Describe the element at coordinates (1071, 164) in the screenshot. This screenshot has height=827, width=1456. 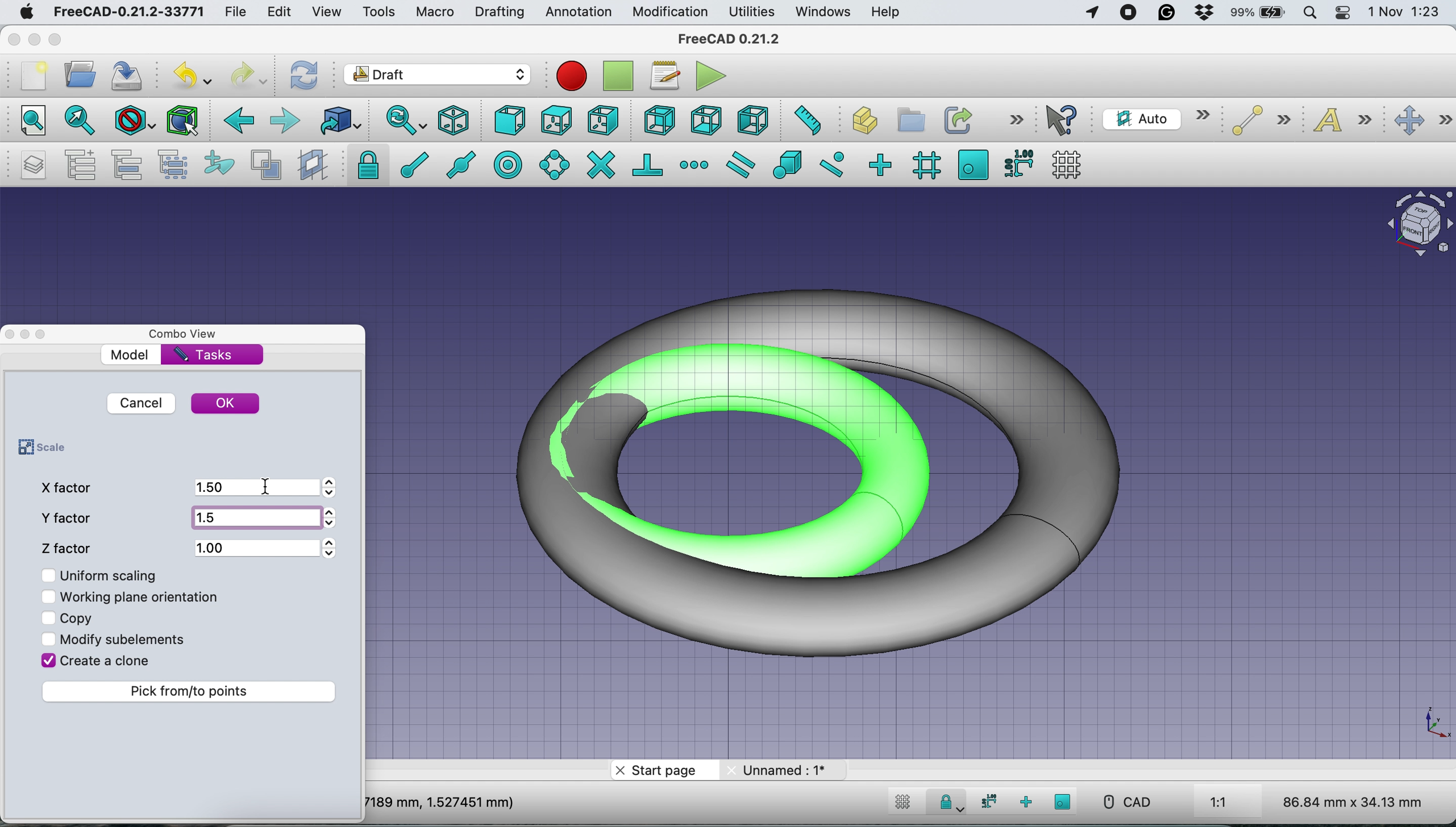
I see `toggle grid` at that location.